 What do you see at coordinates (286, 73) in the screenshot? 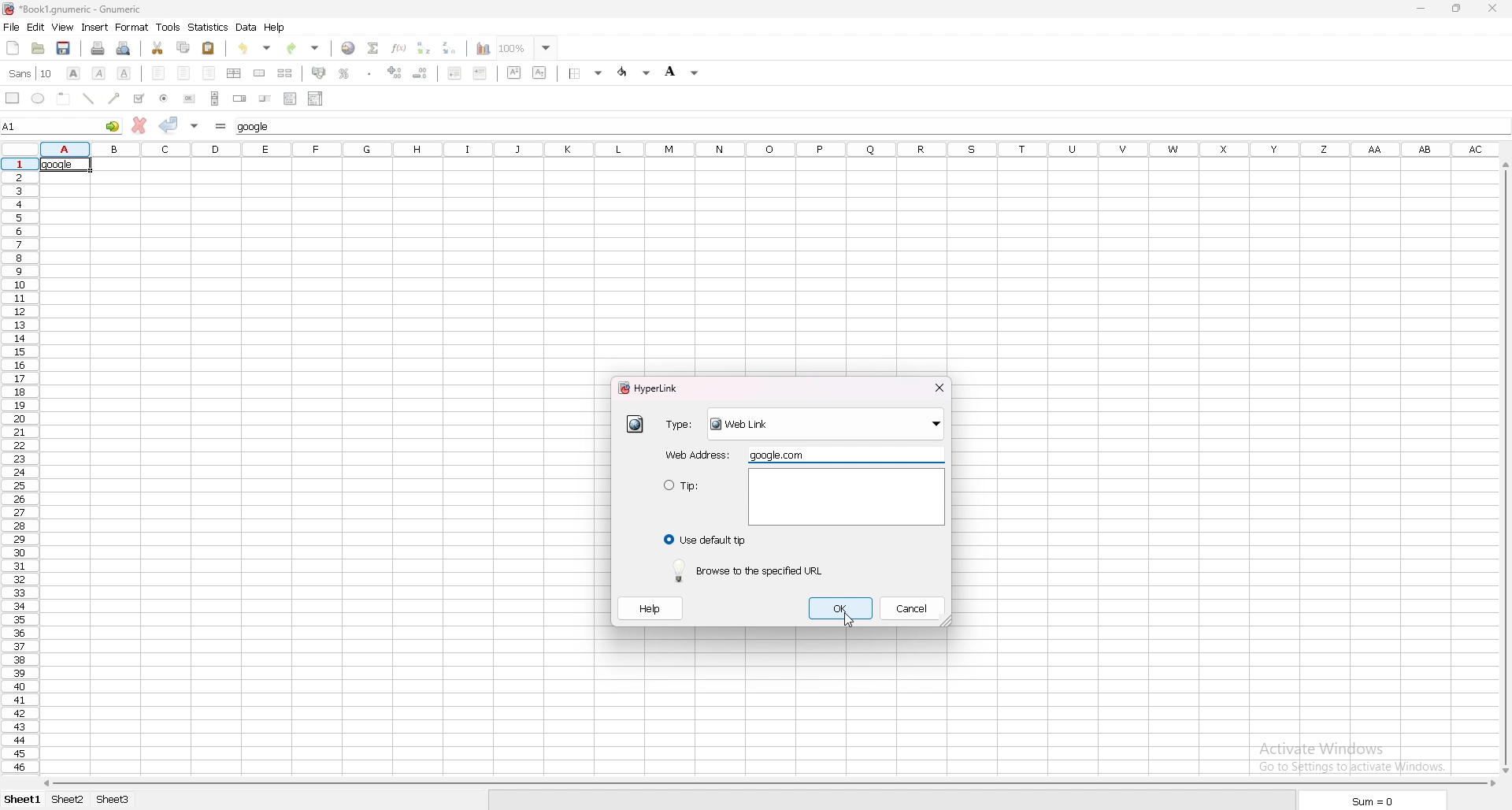
I see `split merged cell` at bounding box center [286, 73].